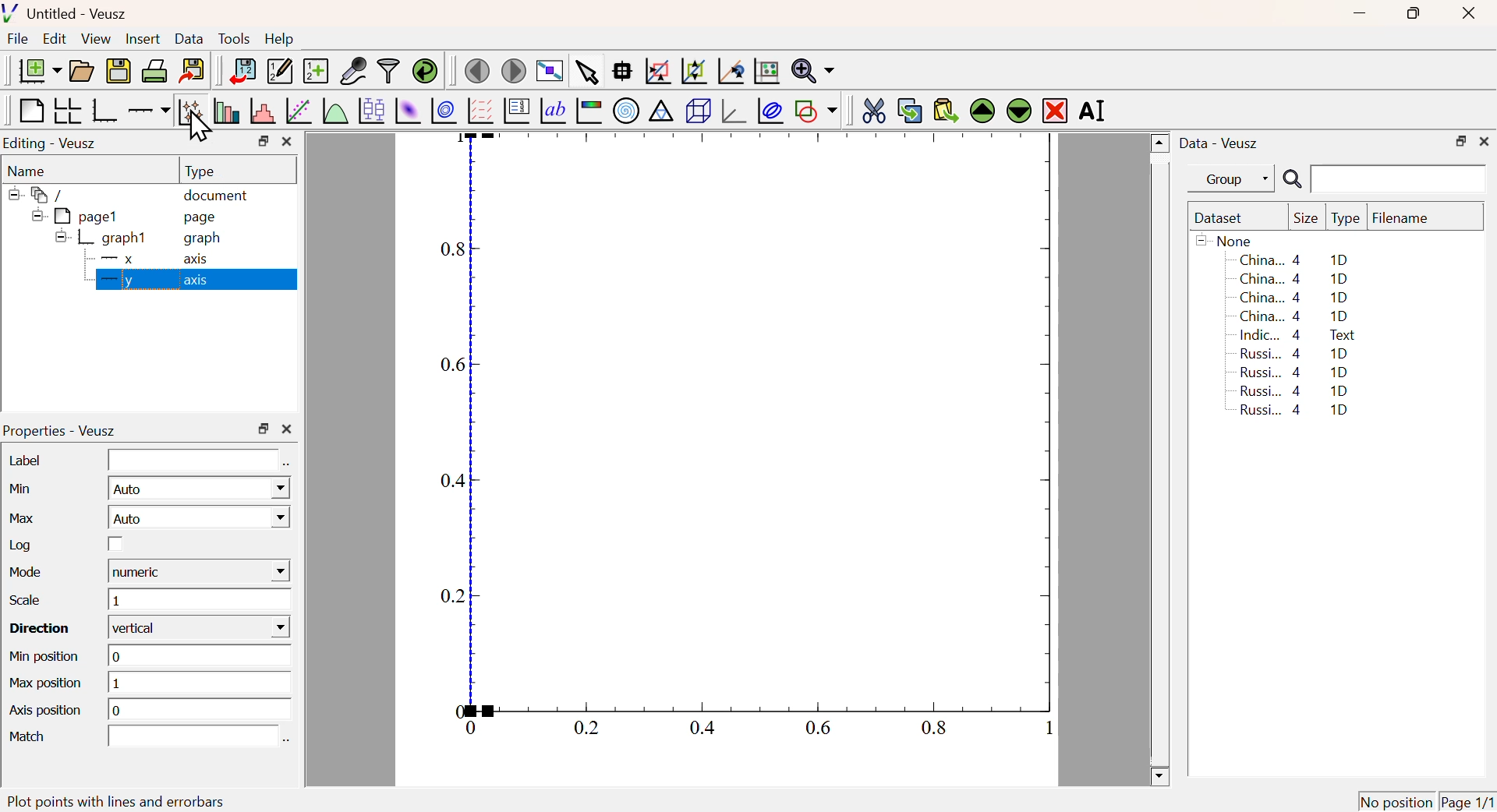 The image size is (1497, 812). What do you see at coordinates (816, 110) in the screenshot?
I see `Add a shape` at bounding box center [816, 110].